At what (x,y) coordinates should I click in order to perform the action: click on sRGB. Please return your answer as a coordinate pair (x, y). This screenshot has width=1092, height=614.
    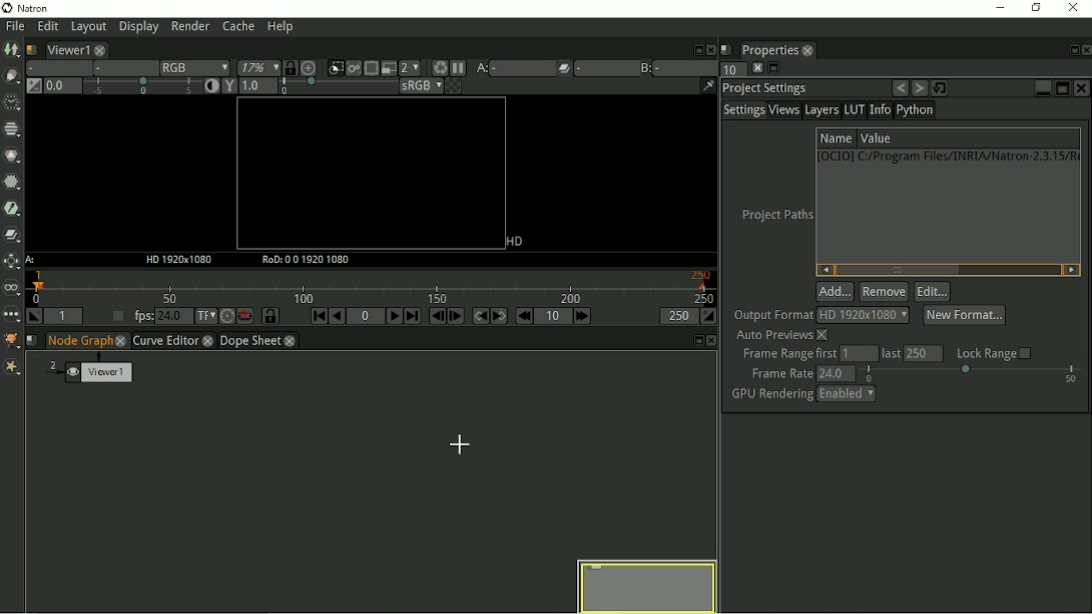
    Looking at the image, I should click on (409, 86).